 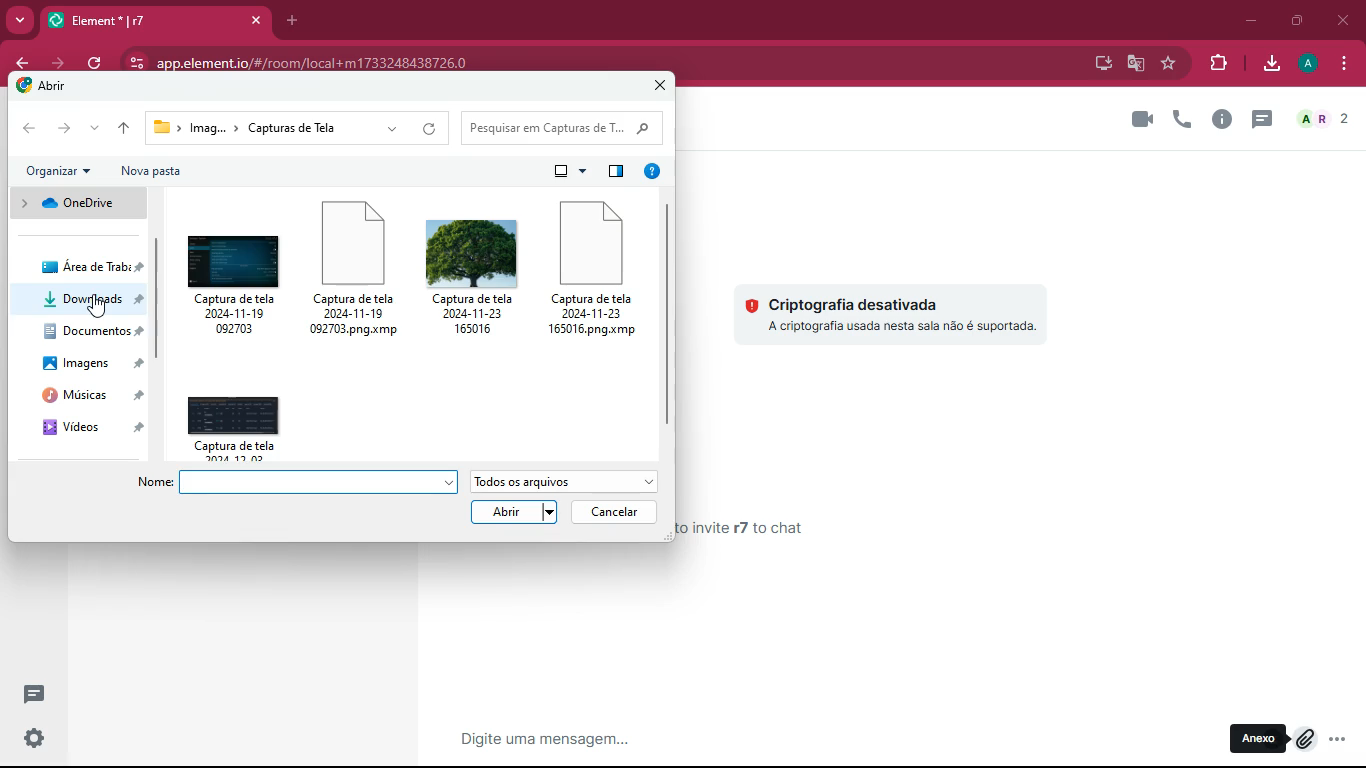 What do you see at coordinates (154, 18) in the screenshot?
I see `element* |r7` at bounding box center [154, 18].